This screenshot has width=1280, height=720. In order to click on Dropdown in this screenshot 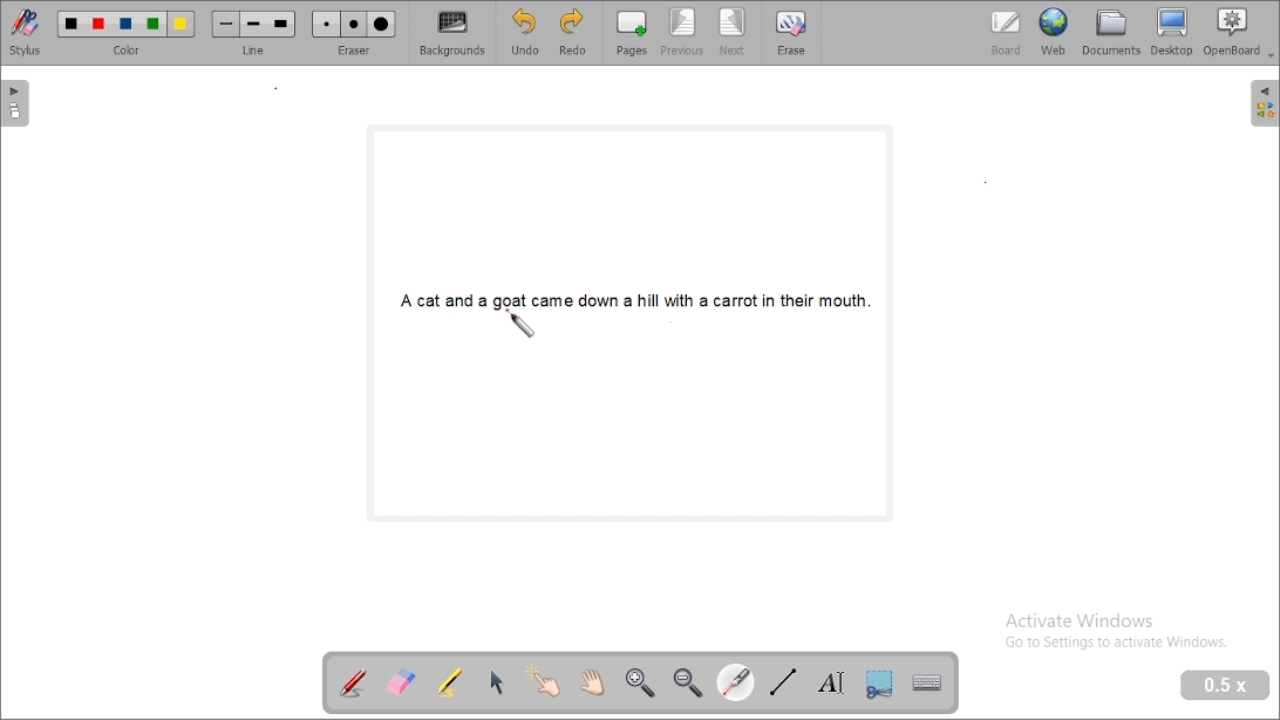, I will do `click(1272, 56)`.